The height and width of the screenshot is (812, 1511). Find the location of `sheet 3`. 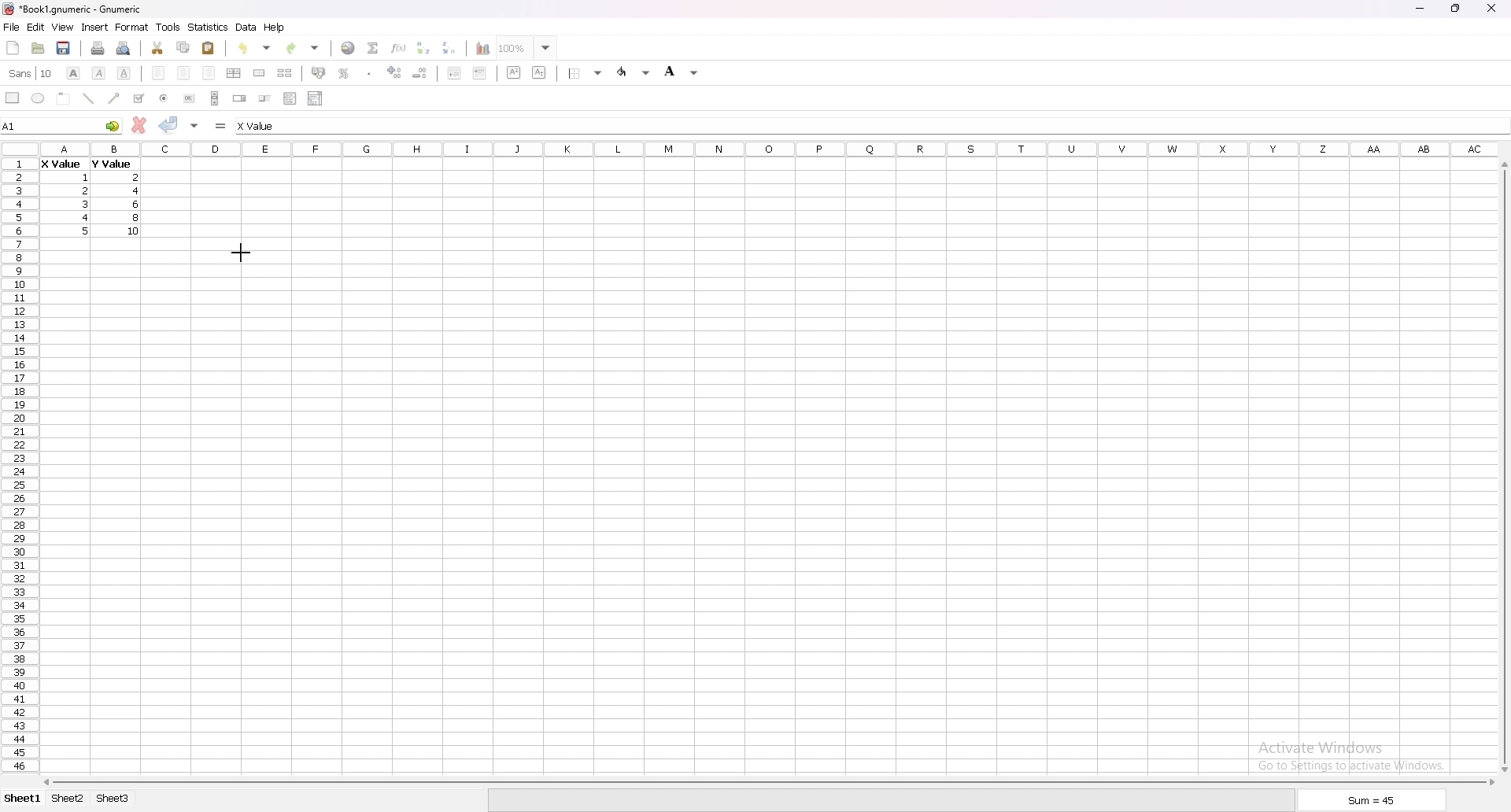

sheet 3 is located at coordinates (113, 799).